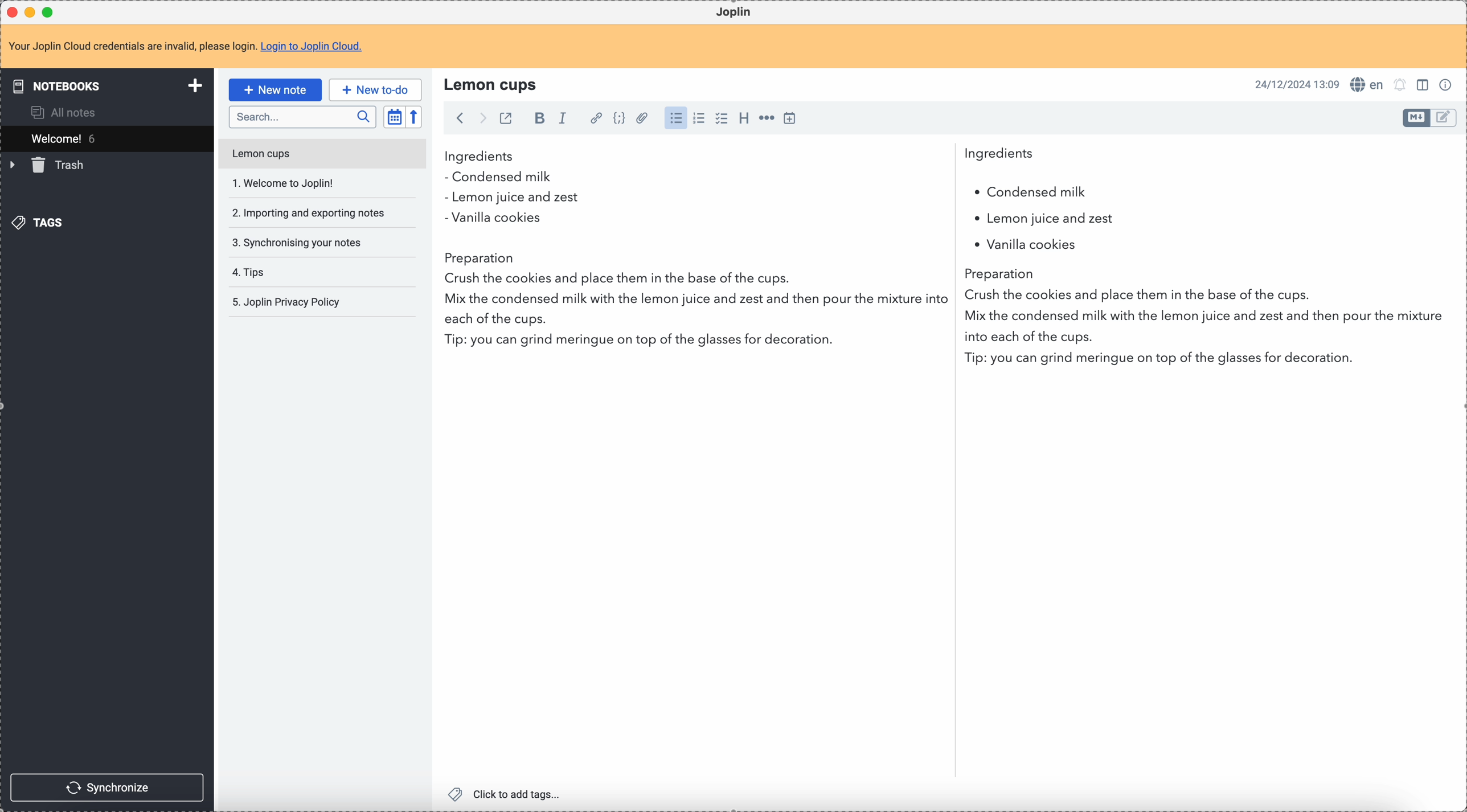  What do you see at coordinates (1417, 118) in the screenshot?
I see `toggle edit layout` at bounding box center [1417, 118].